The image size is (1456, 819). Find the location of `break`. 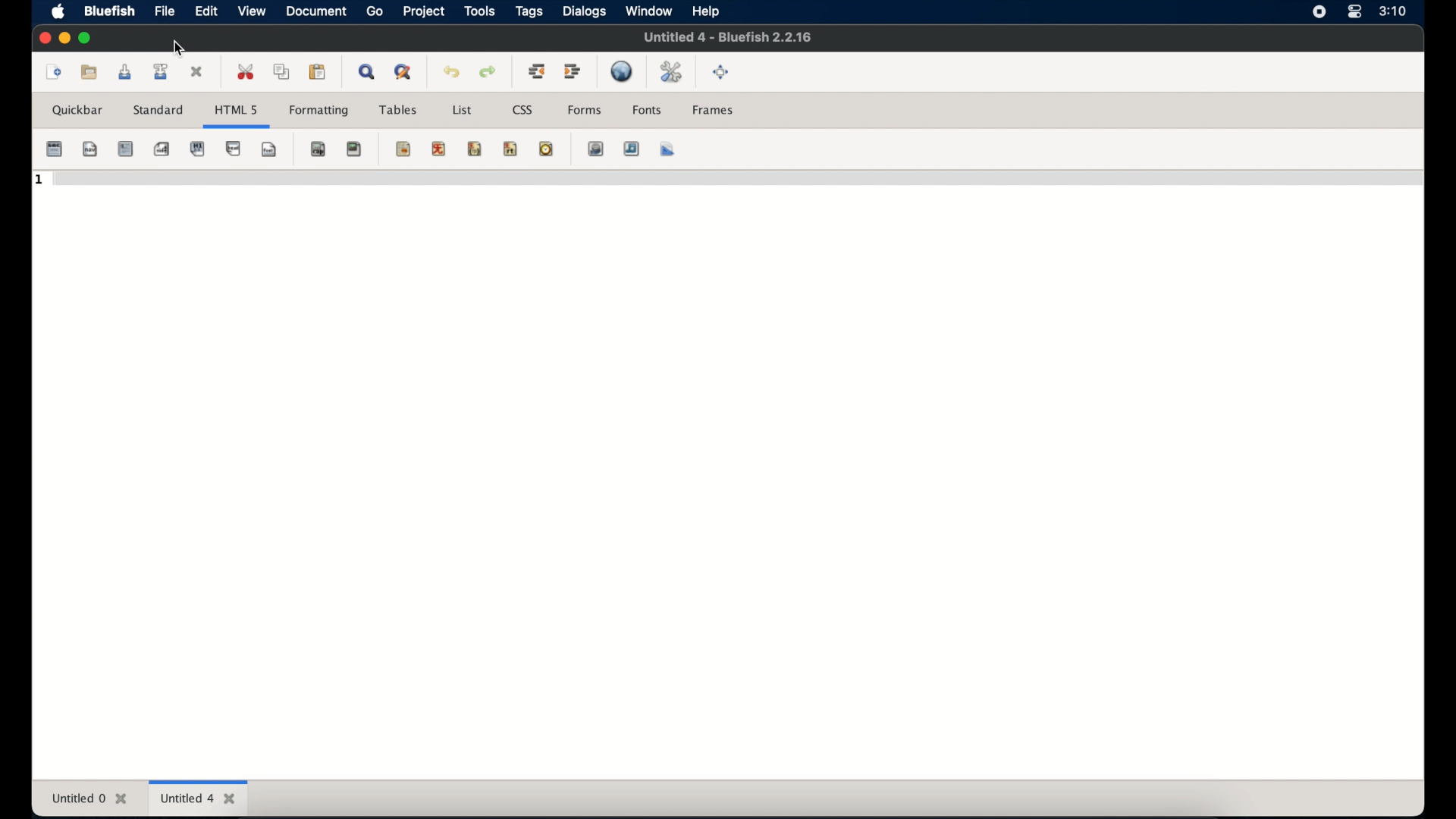

break is located at coordinates (234, 149).